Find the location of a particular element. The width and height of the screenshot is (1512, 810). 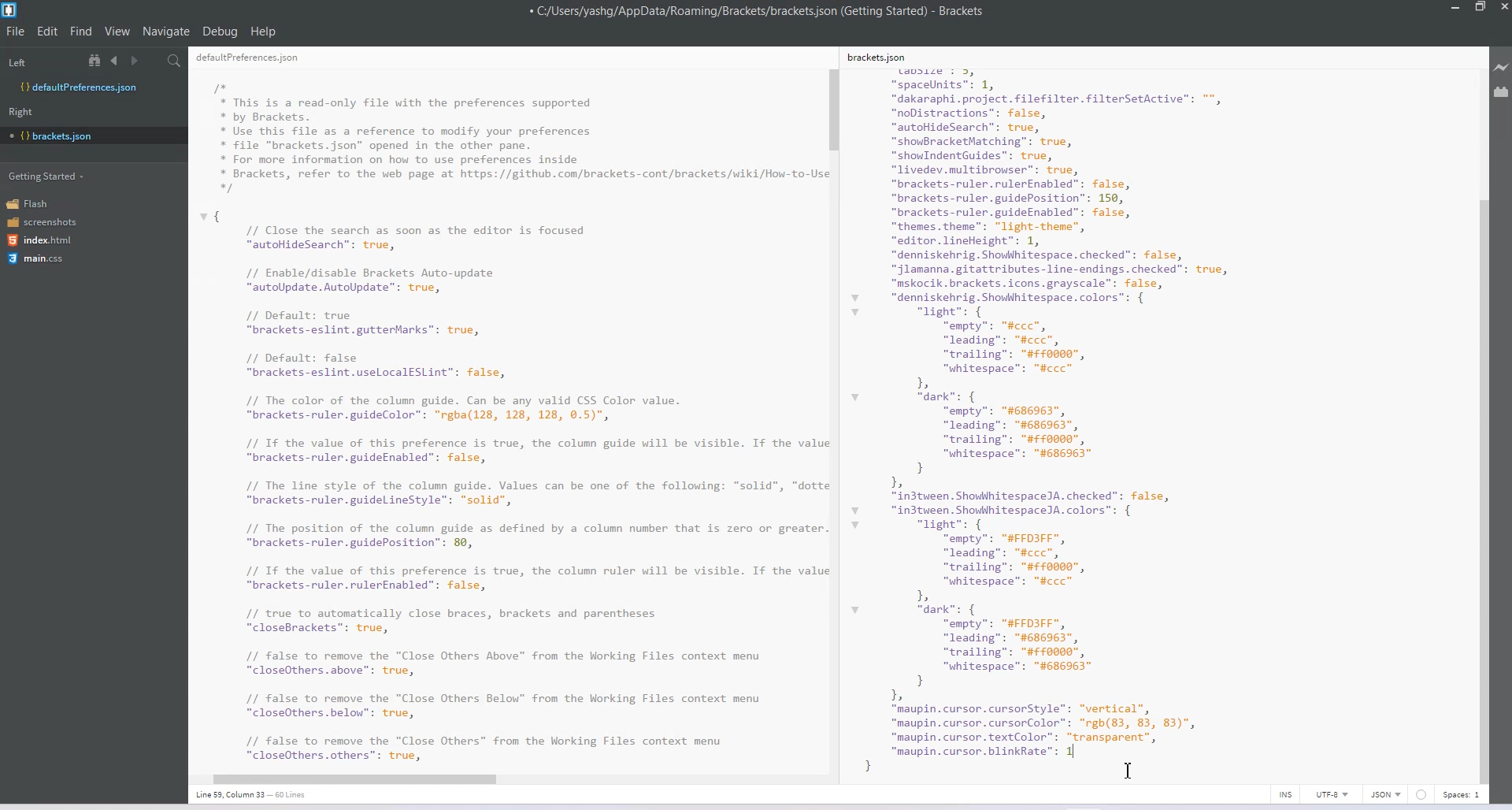

View in file Tree is located at coordinates (97, 60).